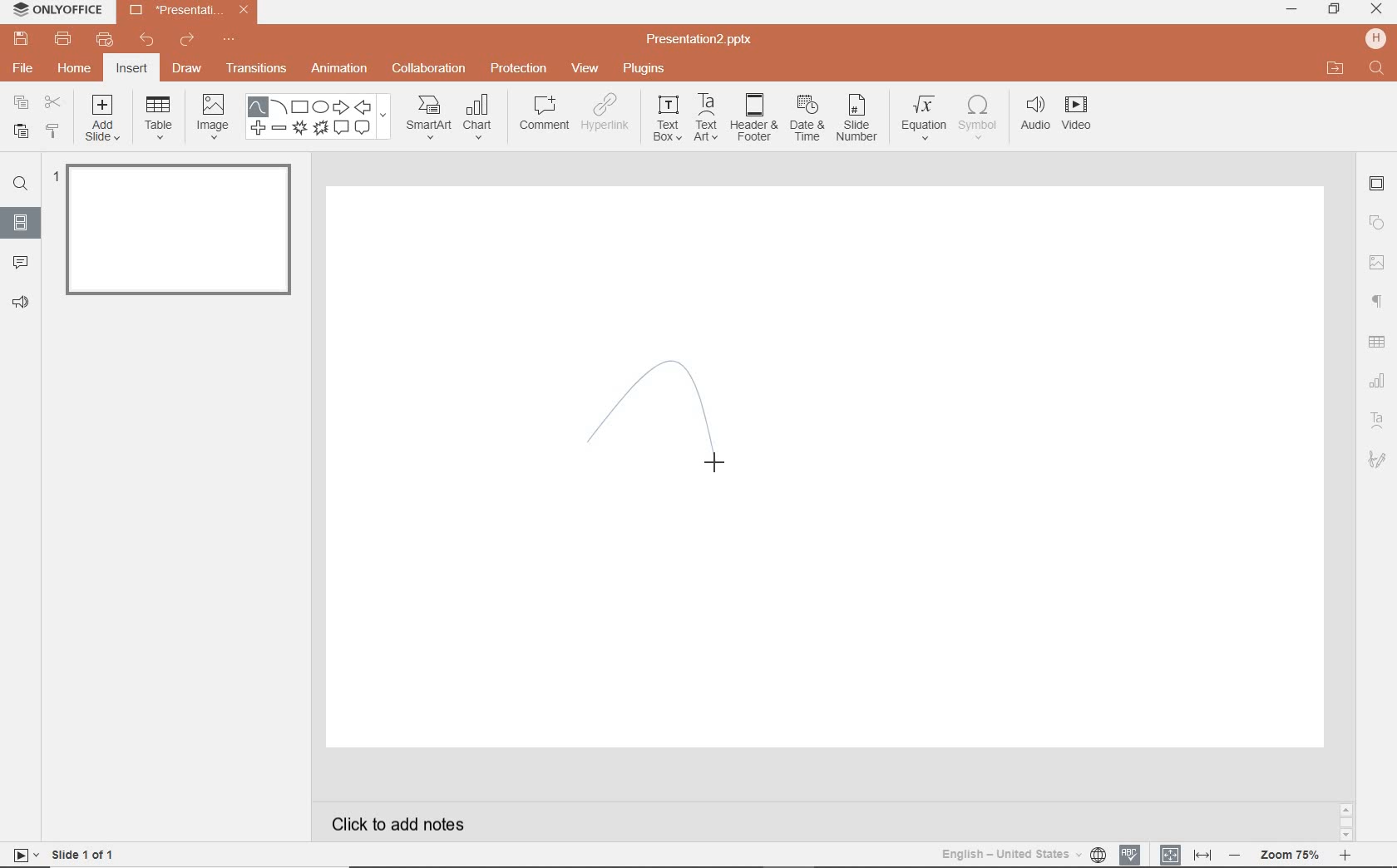 Image resolution: width=1397 pixels, height=868 pixels. Describe the element at coordinates (213, 115) in the screenshot. I see `IMAGE` at that location.